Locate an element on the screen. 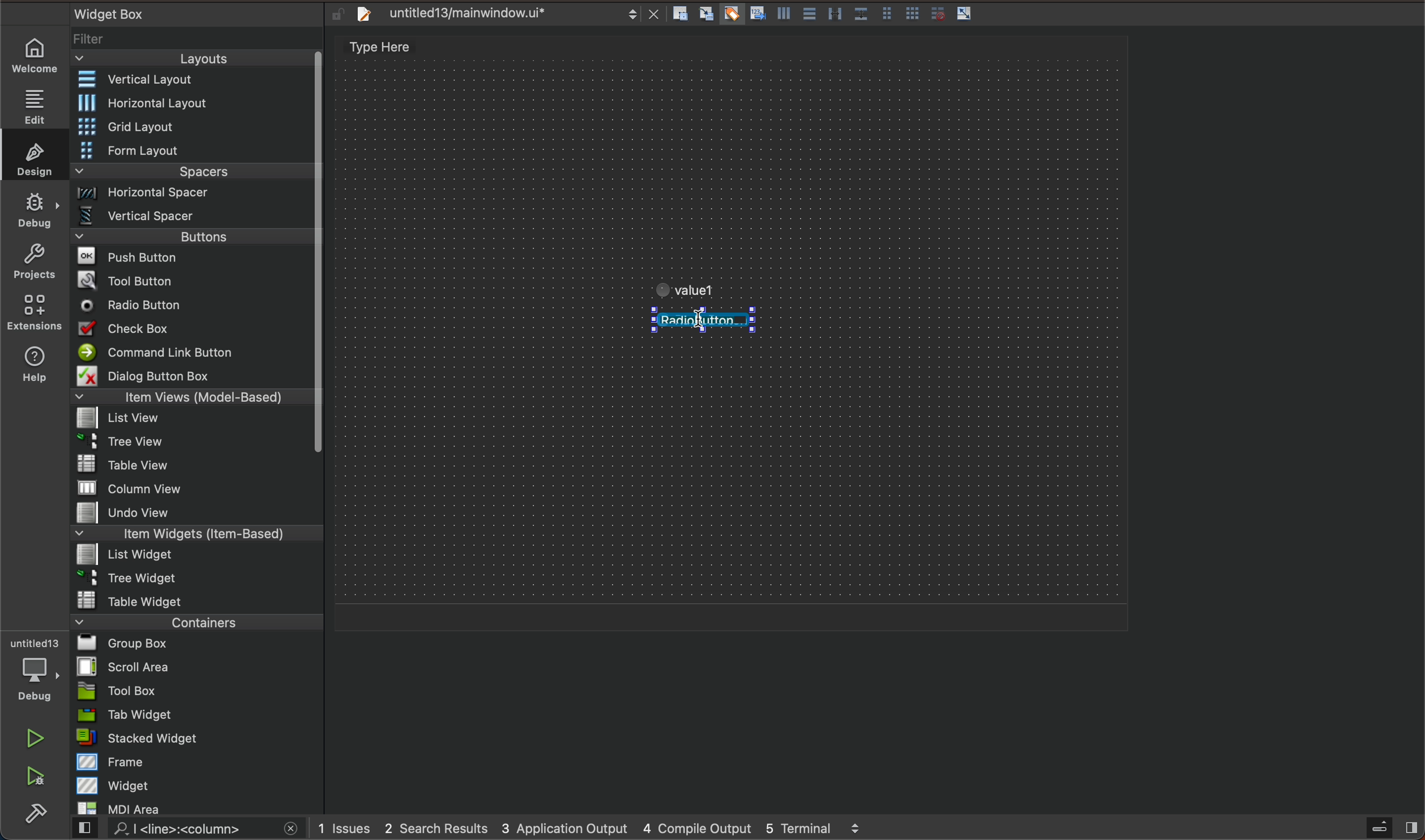  spacers is located at coordinates (194, 175).